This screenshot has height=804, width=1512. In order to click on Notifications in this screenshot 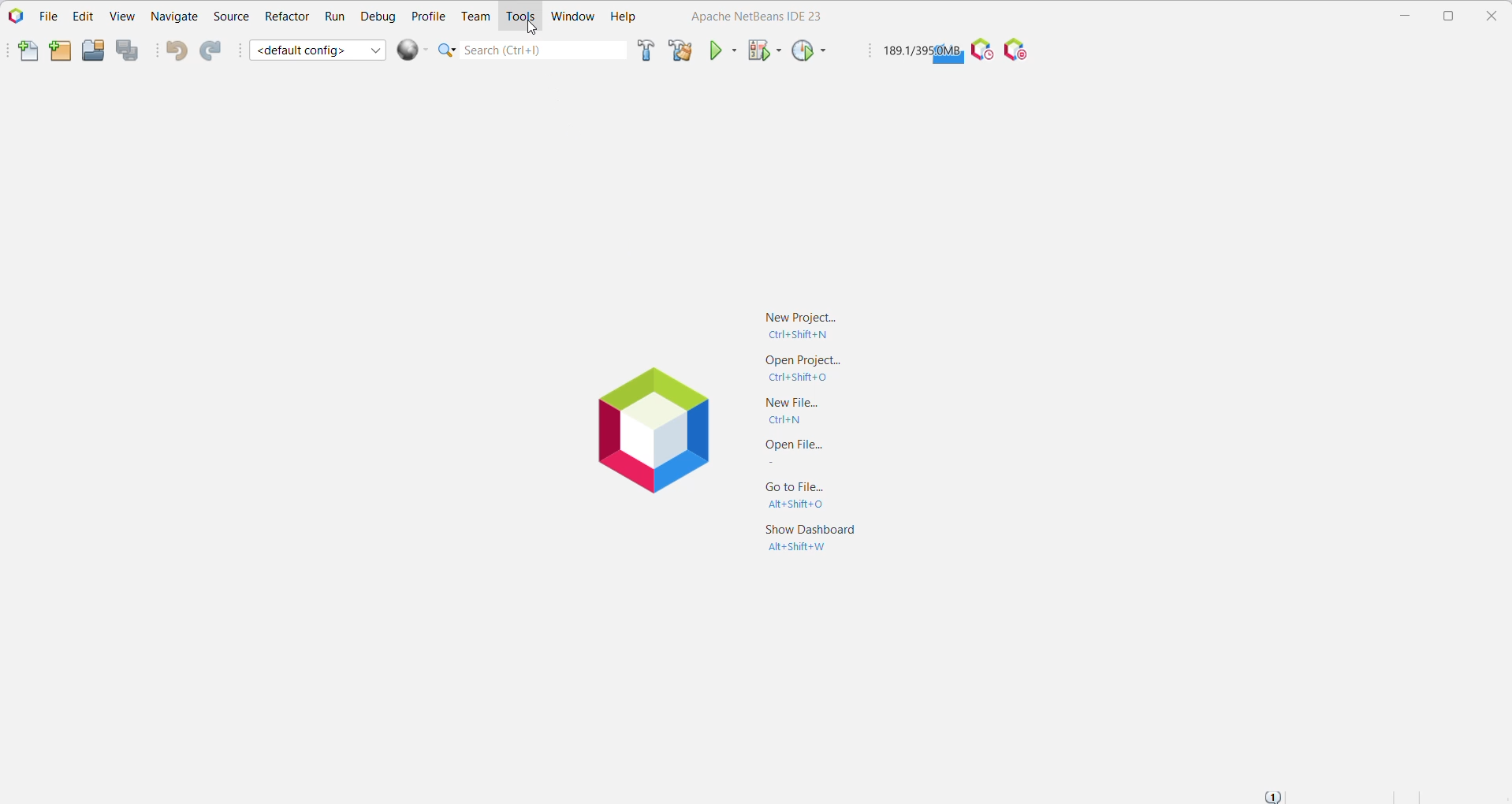, I will do `click(1276, 795)`.